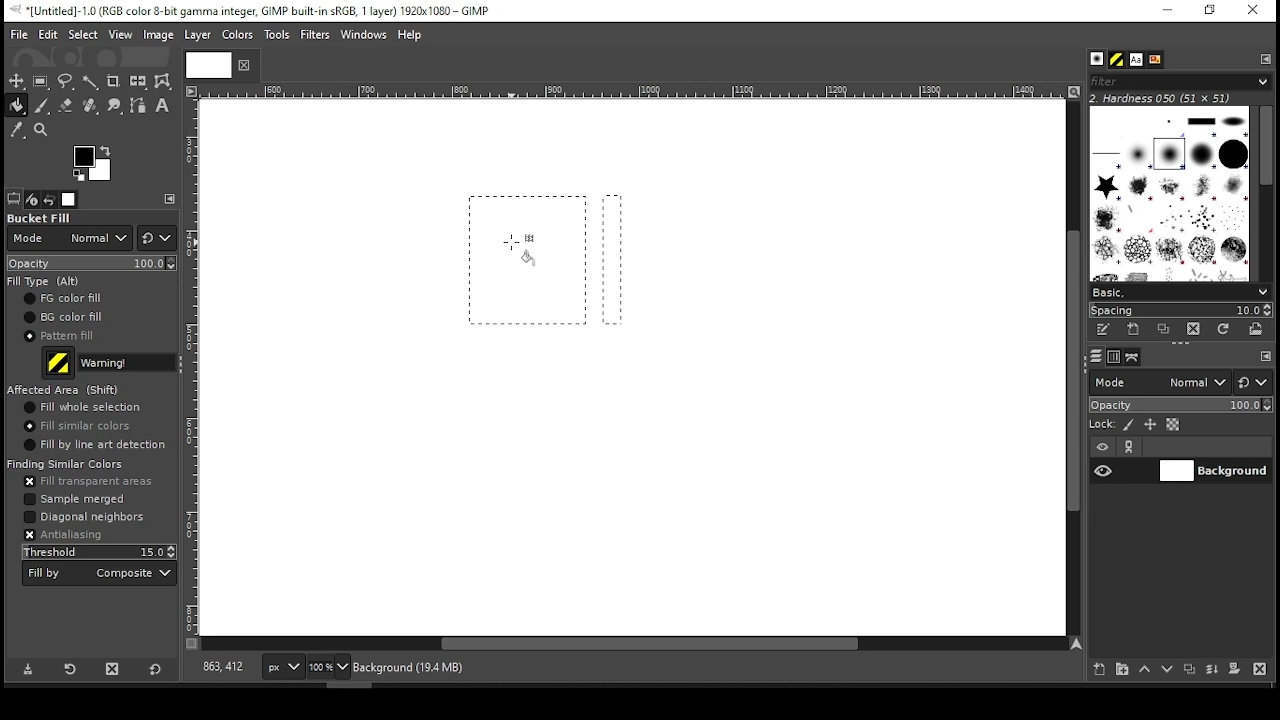 This screenshot has width=1280, height=720. I want to click on background fill color, so click(63, 318).